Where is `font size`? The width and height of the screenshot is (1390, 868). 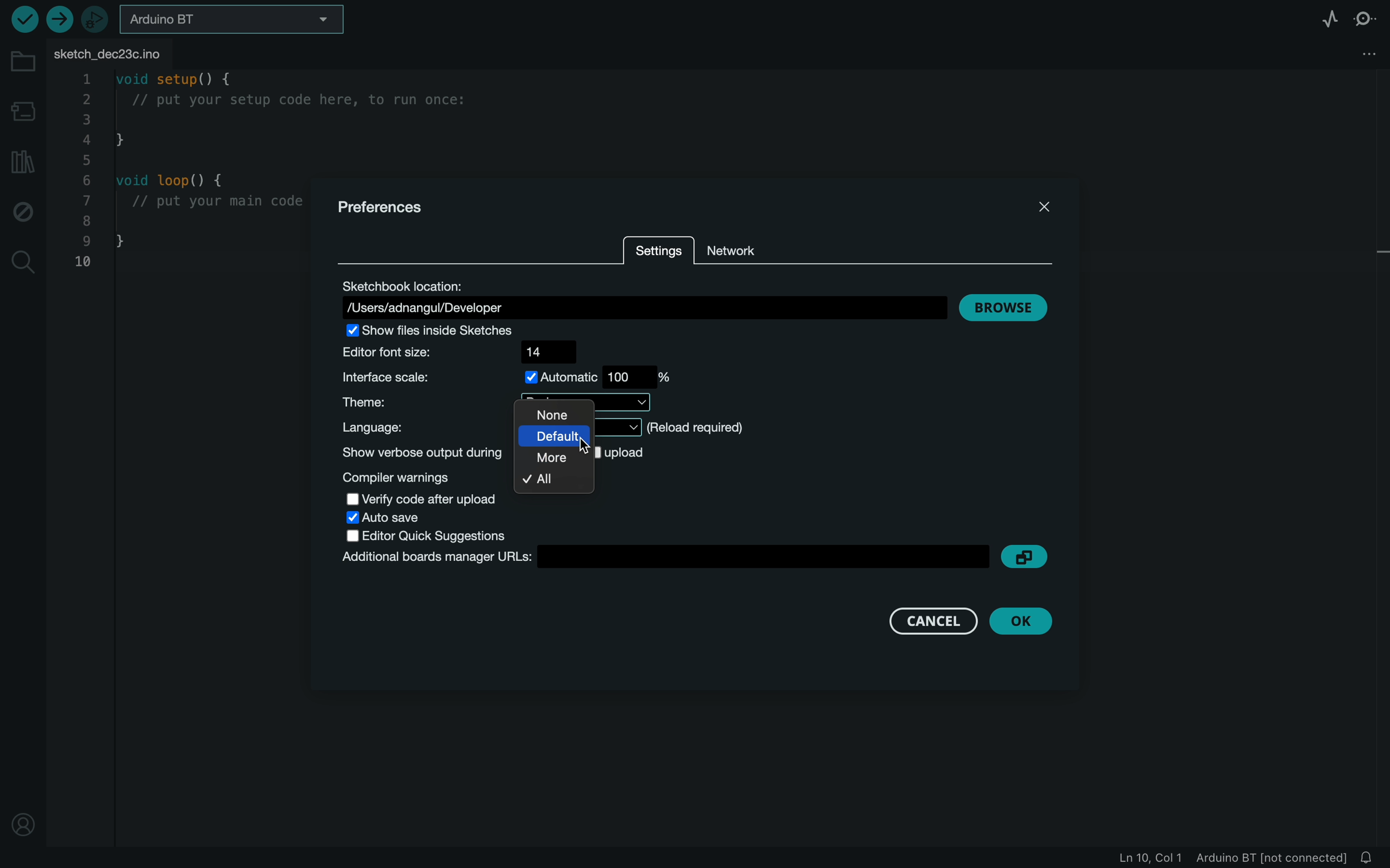 font size is located at coordinates (458, 355).